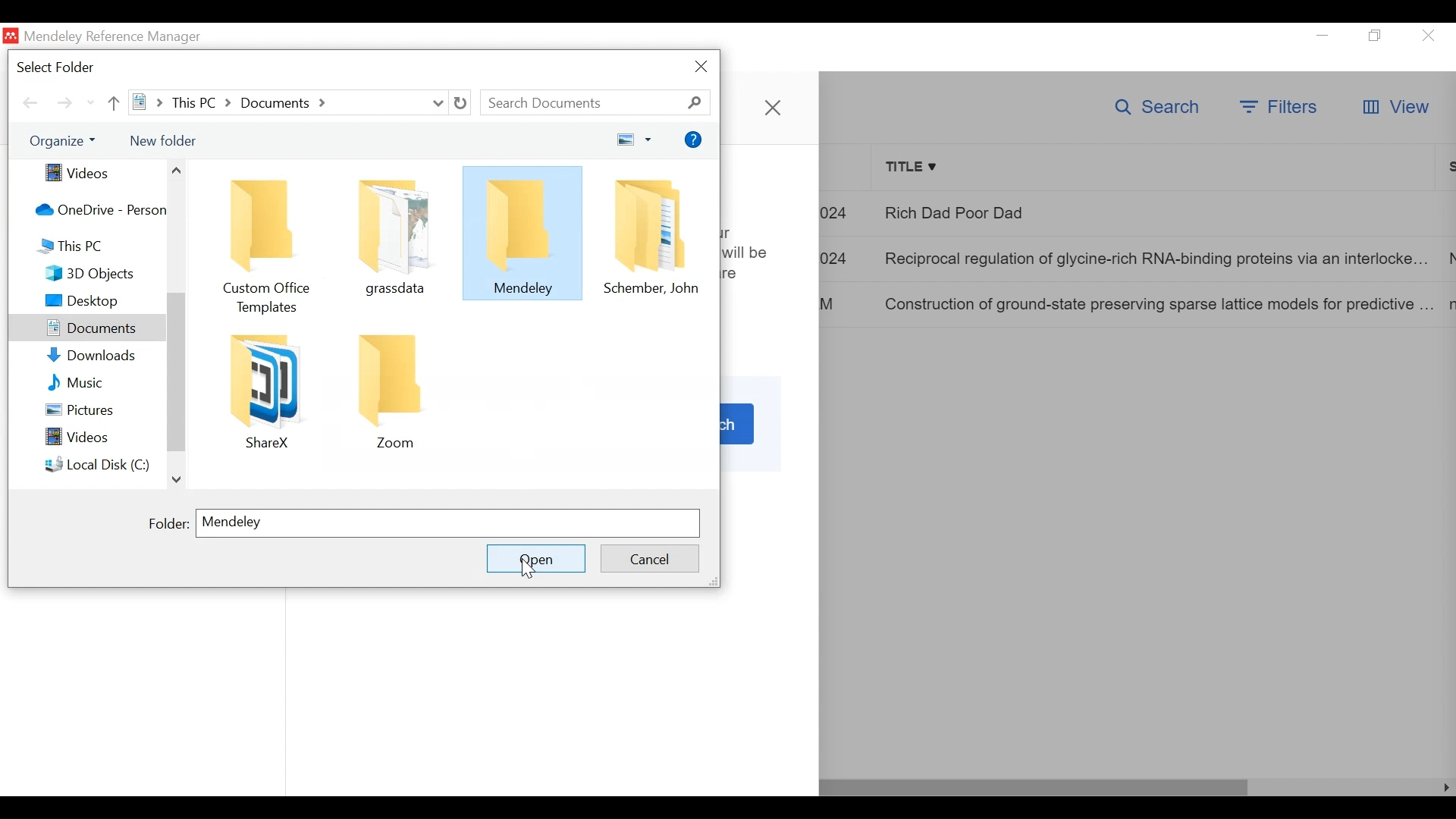  What do you see at coordinates (647, 557) in the screenshot?
I see `Cancel` at bounding box center [647, 557].